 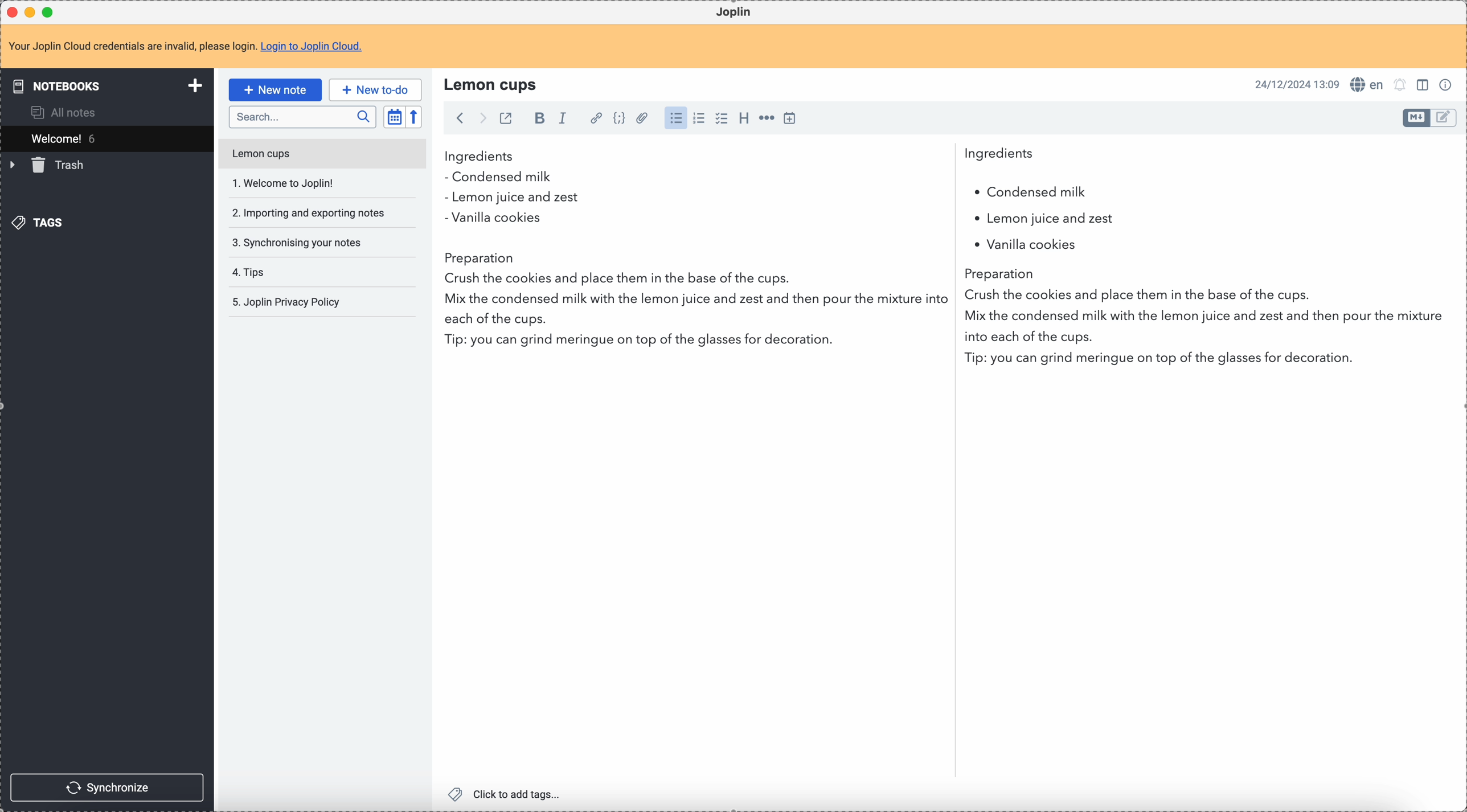 What do you see at coordinates (251, 273) in the screenshot?
I see `tips` at bounding box center [251, 273].